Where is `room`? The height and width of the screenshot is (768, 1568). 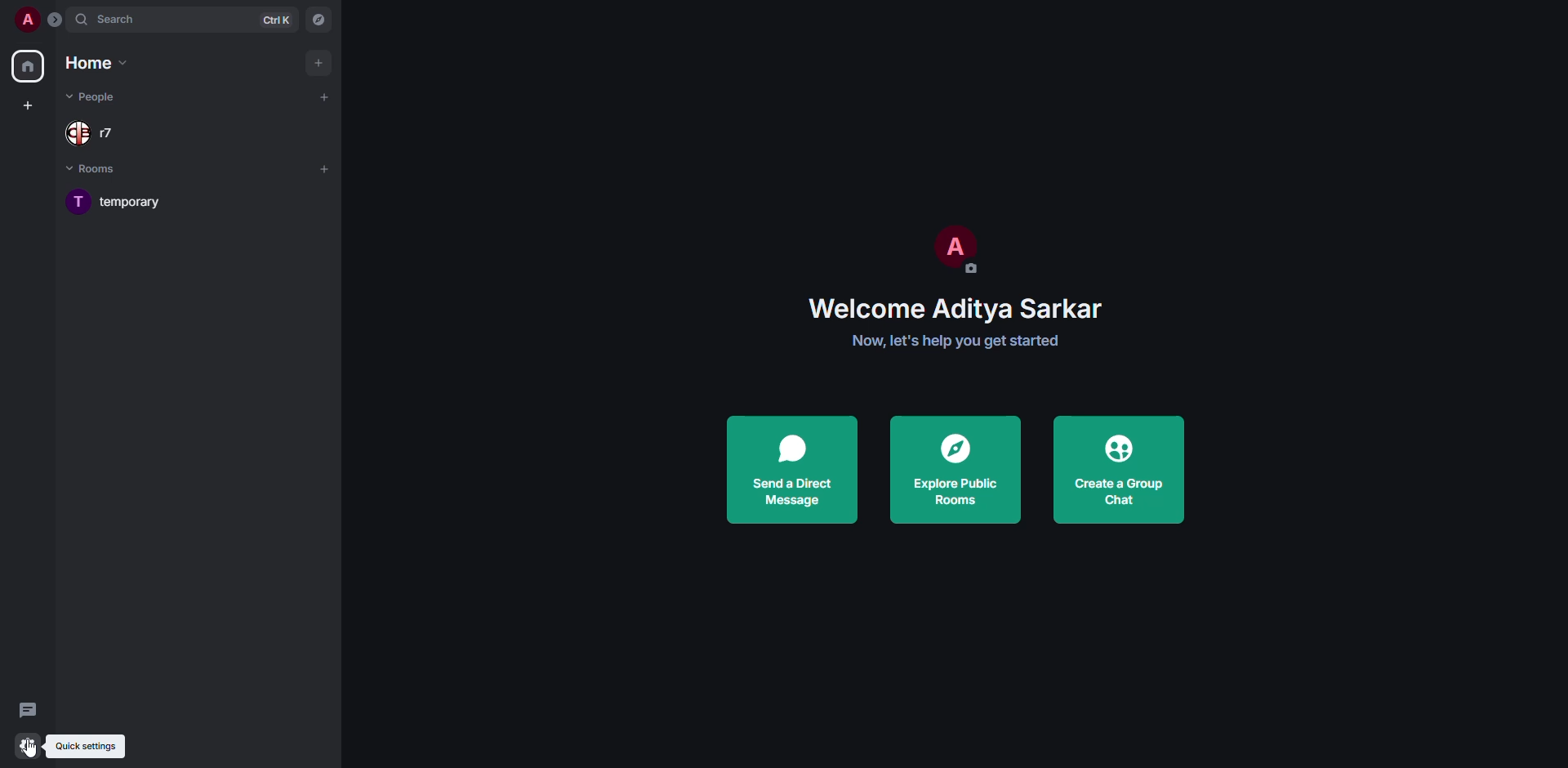
room is located at coordinates (140, 200).